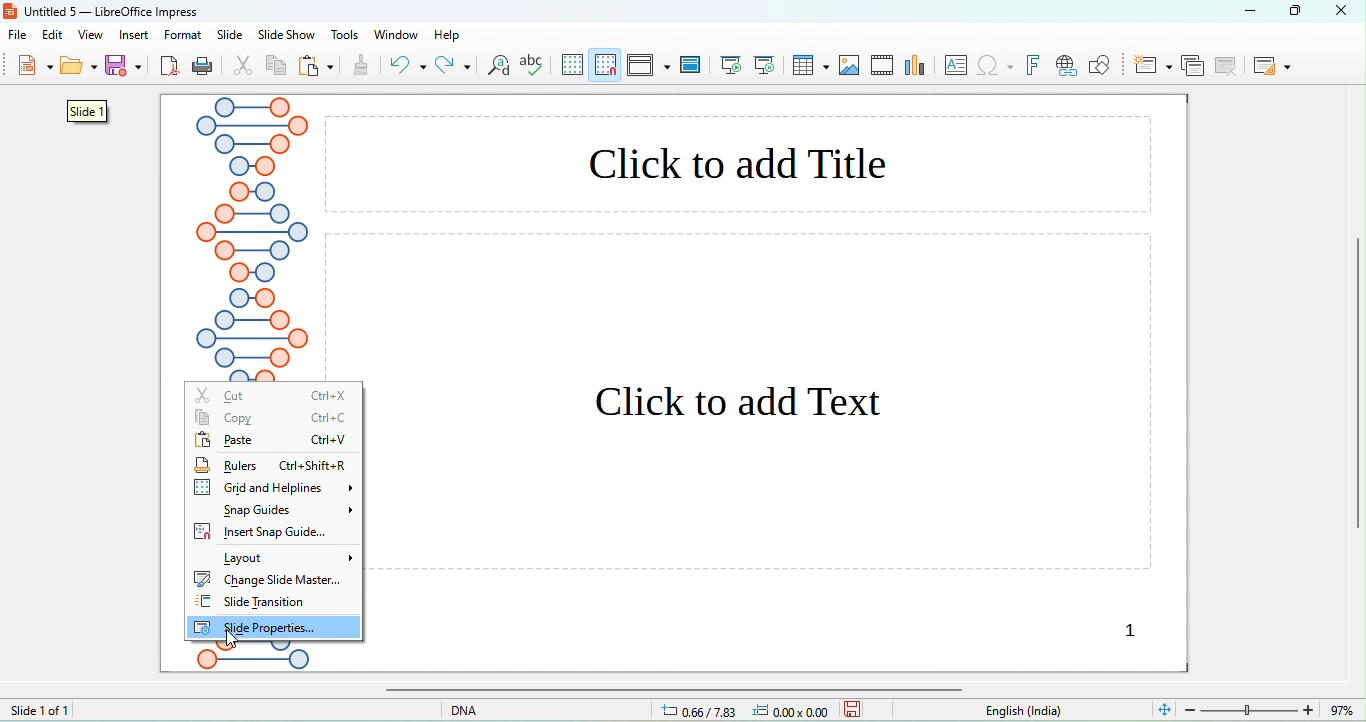  Describe the element at coordinates (289, 559) in the screenshot. I see `layout` at that location.